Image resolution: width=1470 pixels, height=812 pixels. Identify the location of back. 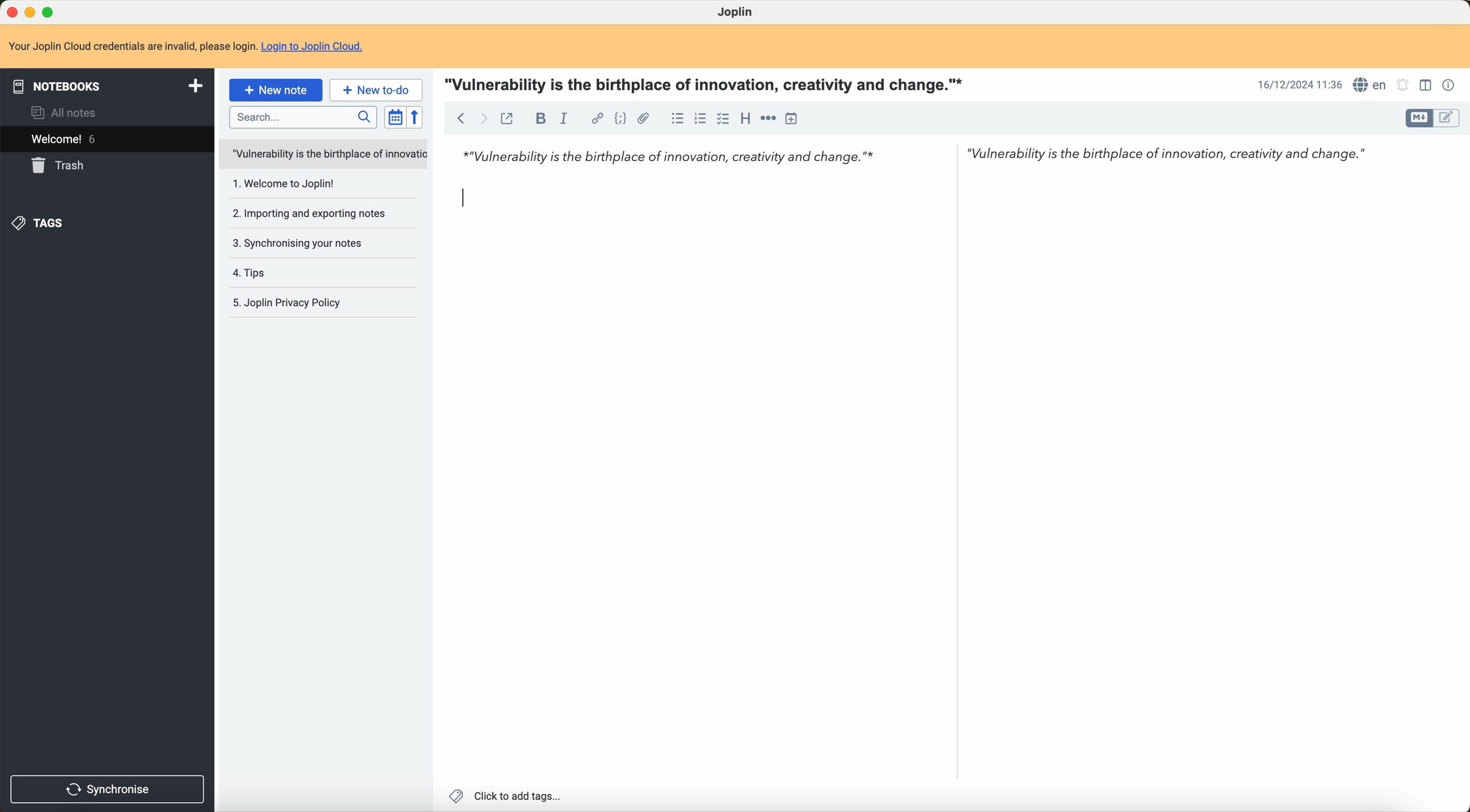
(461, 119).